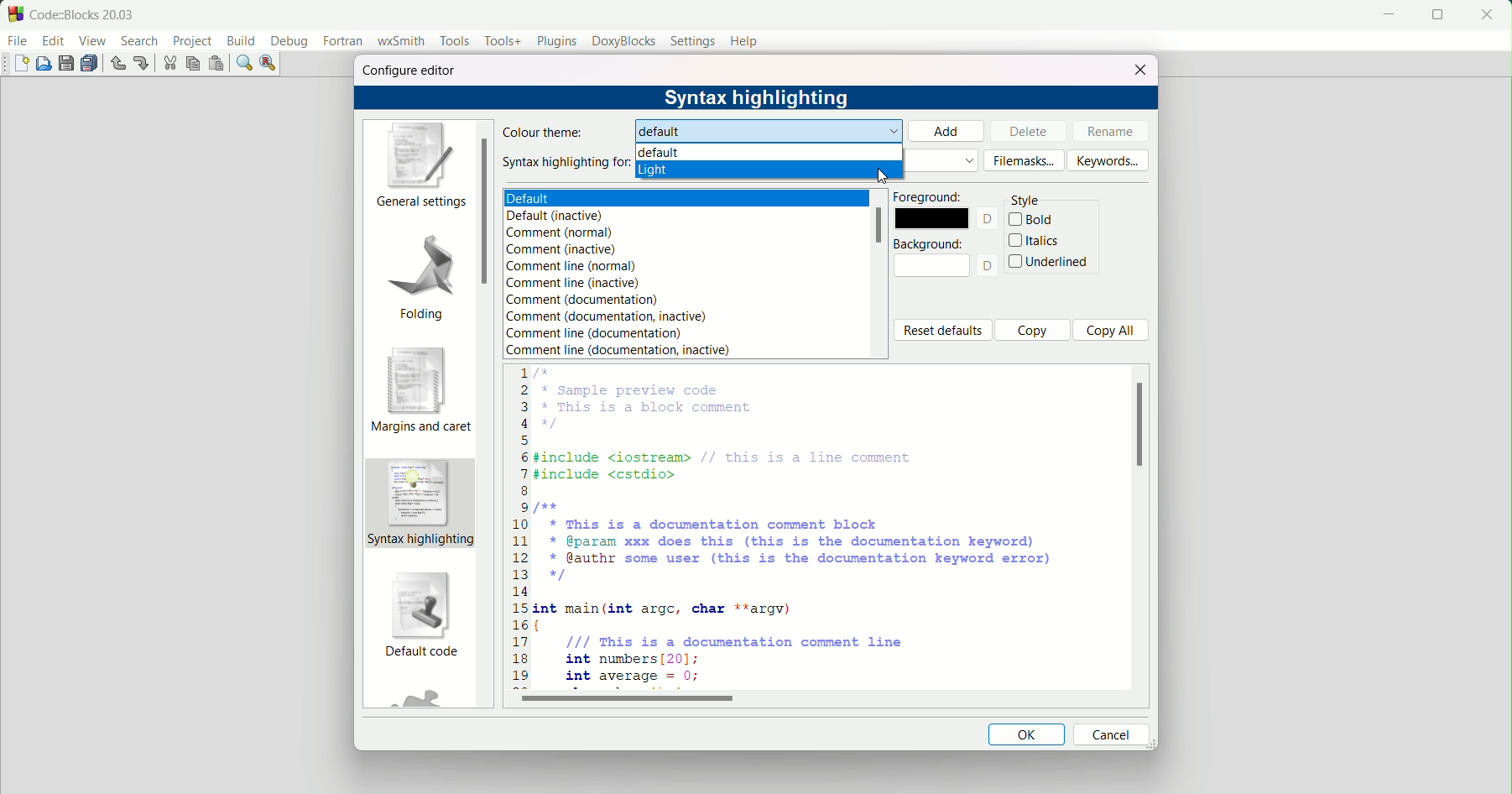  What do you see at coordinates (932, 265) in the screenshot?
I see `color` at bounding box center [932, 265].